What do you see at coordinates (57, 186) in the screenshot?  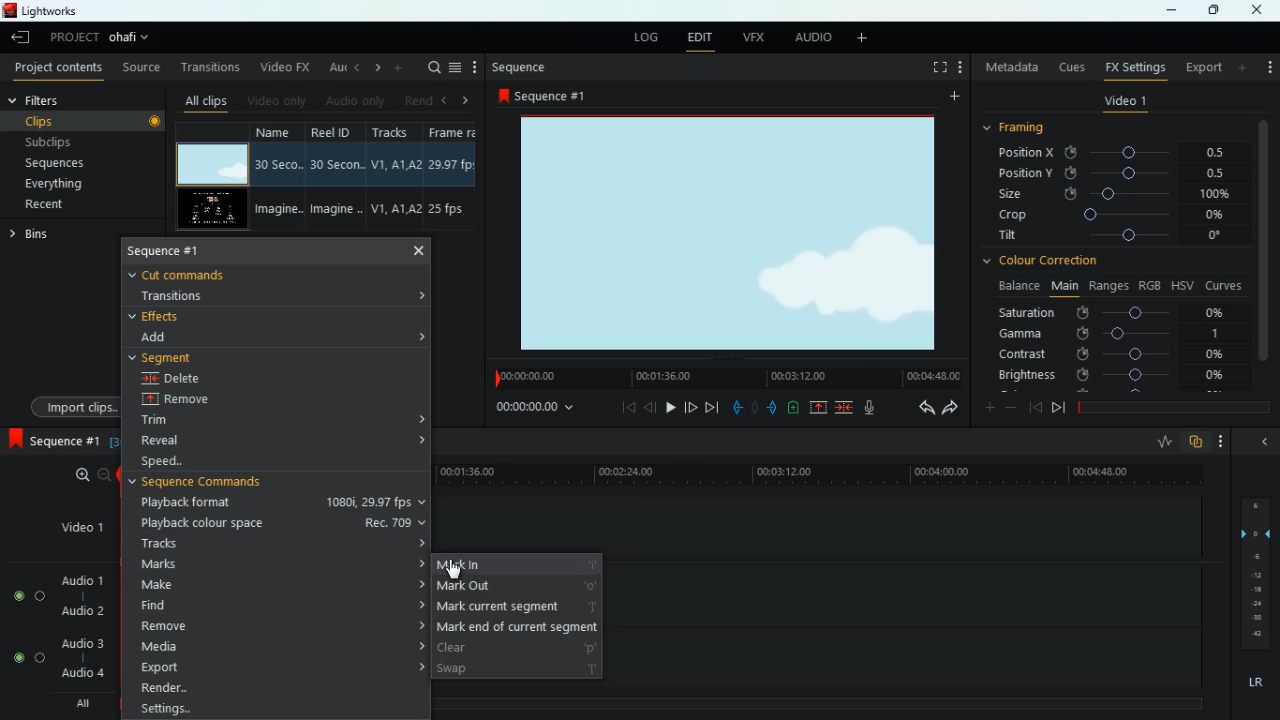 I see `everything` at bounding box center [57, 186].